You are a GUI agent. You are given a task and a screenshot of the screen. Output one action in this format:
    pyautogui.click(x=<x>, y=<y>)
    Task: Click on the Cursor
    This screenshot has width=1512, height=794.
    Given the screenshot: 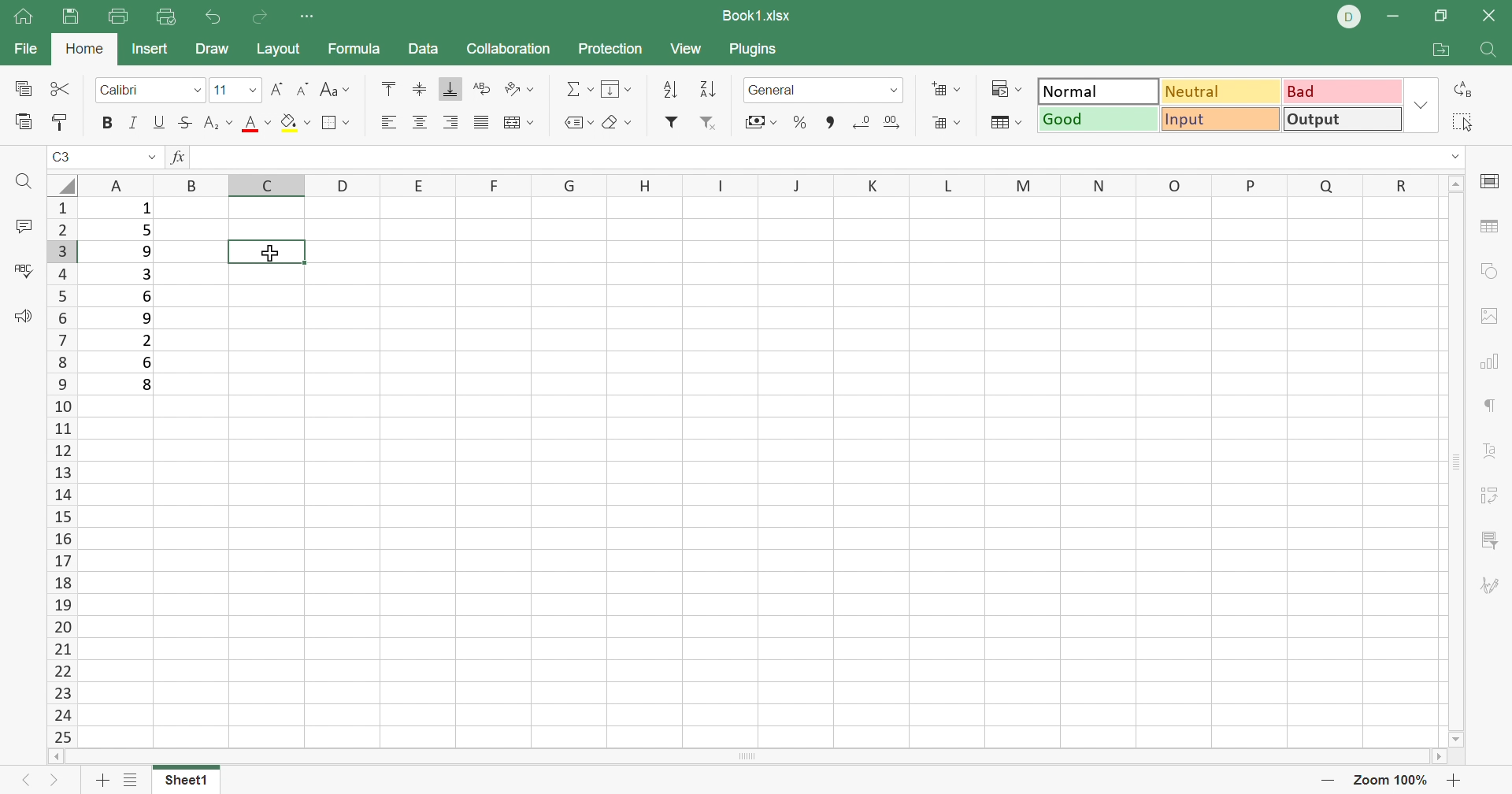 What is the action you would take?
    pyautogui.click(x=272, y=253)
    